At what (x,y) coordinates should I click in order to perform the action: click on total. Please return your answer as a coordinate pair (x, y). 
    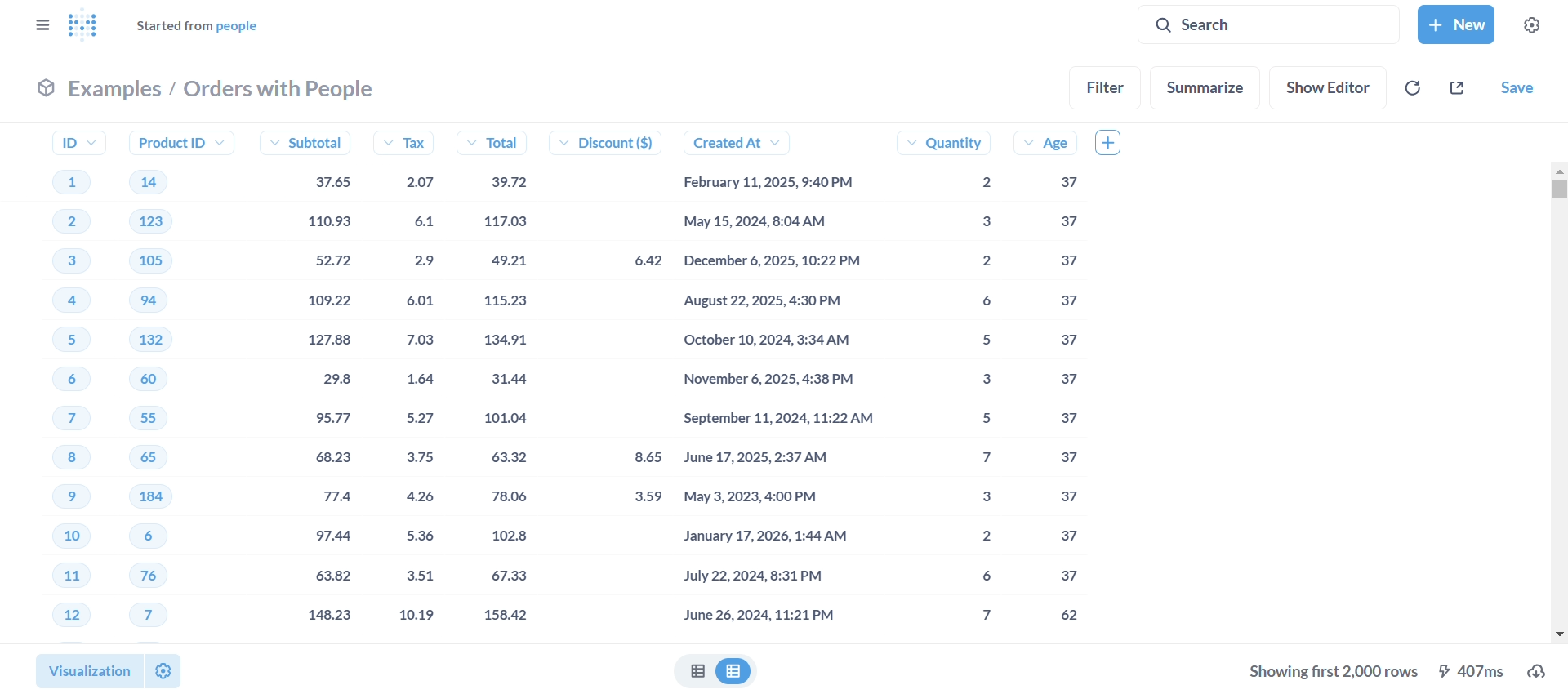
    Looking at the image, I should click on (511, 385).